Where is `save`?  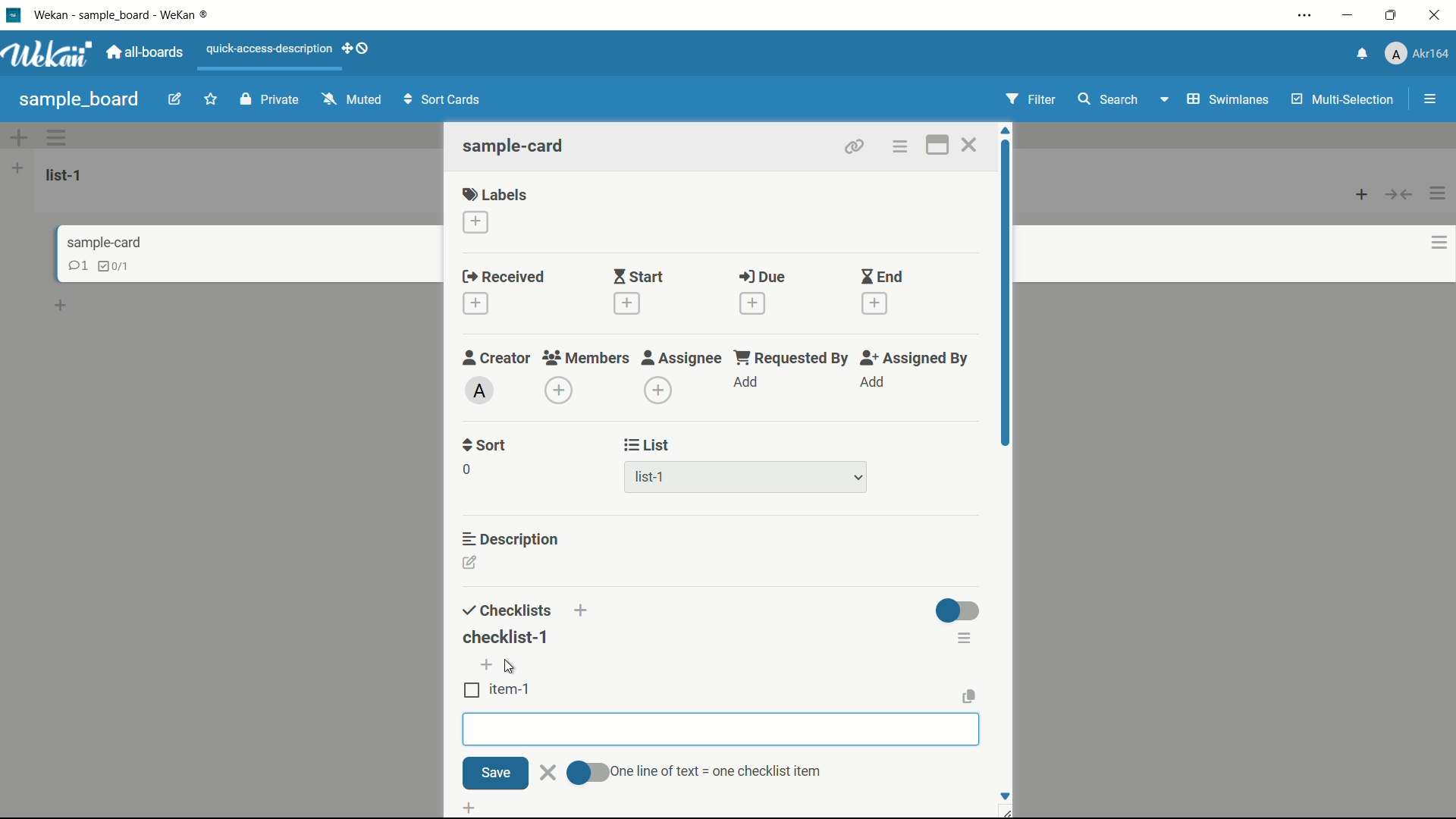 save is located at coordinates (494, 772).